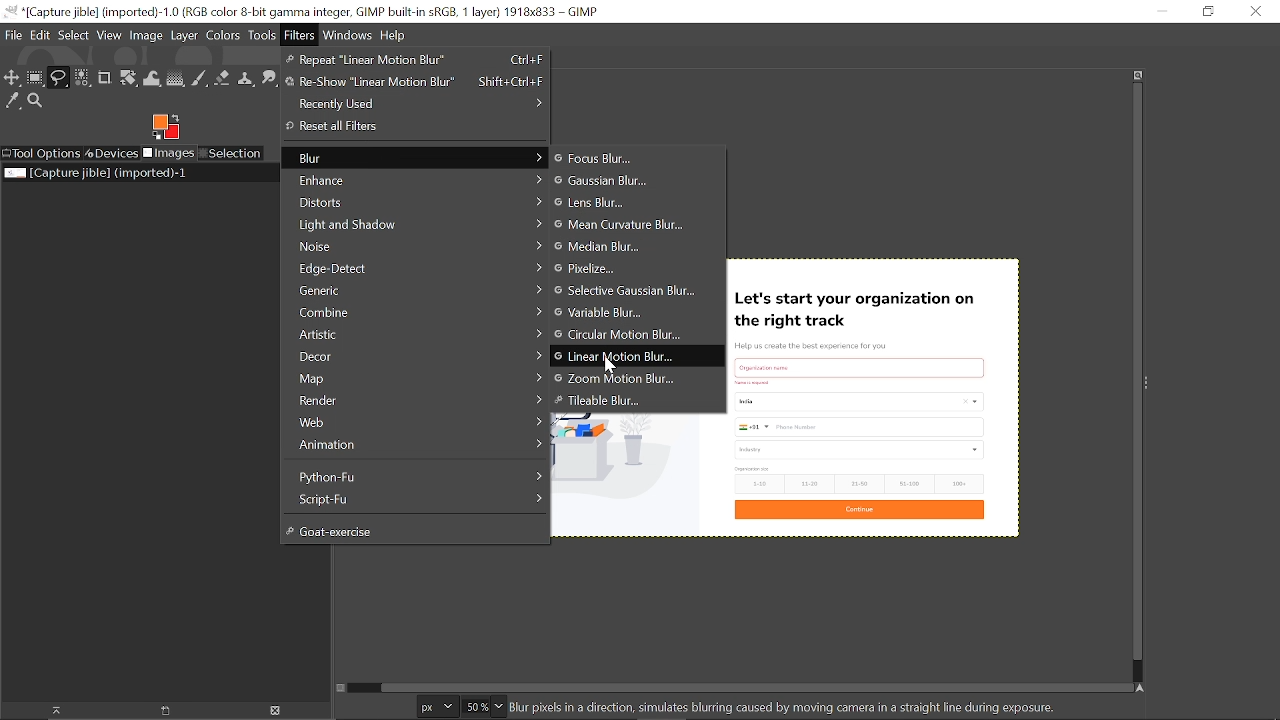 The image size is (1280, 720). Describe the element at coordinates (1144, 689) in the screenshot. I see `Navigate this window` at that location.